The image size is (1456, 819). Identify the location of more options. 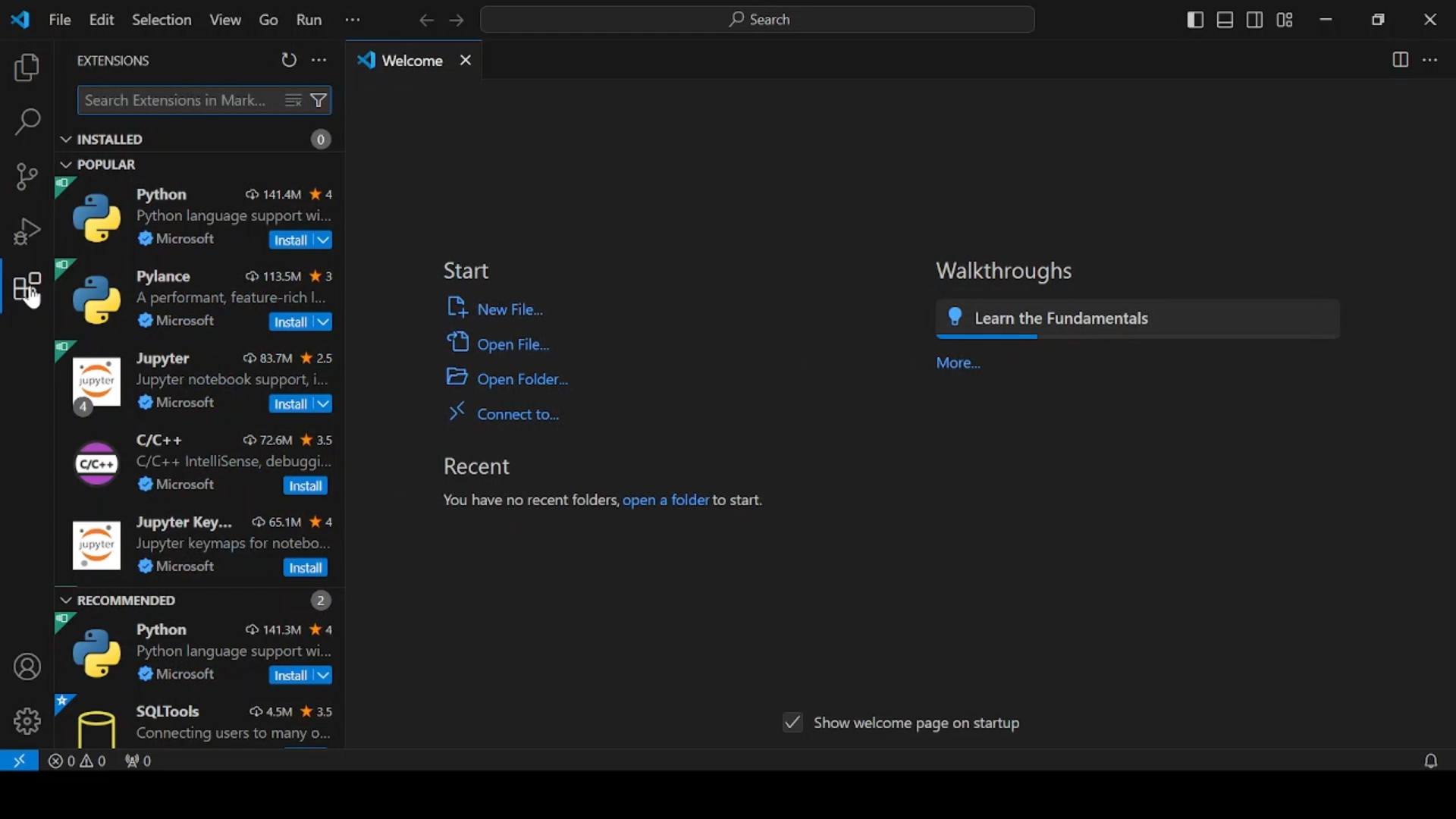
(320, 59).